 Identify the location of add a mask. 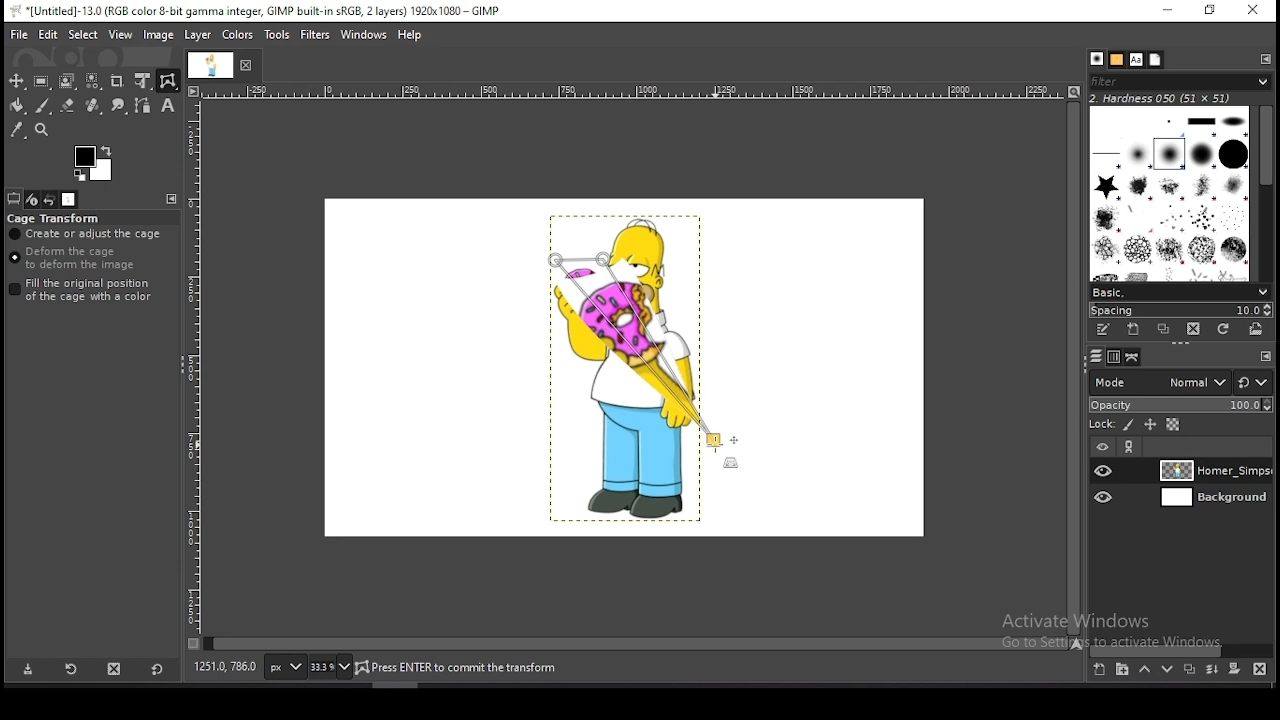
(1232, 669).